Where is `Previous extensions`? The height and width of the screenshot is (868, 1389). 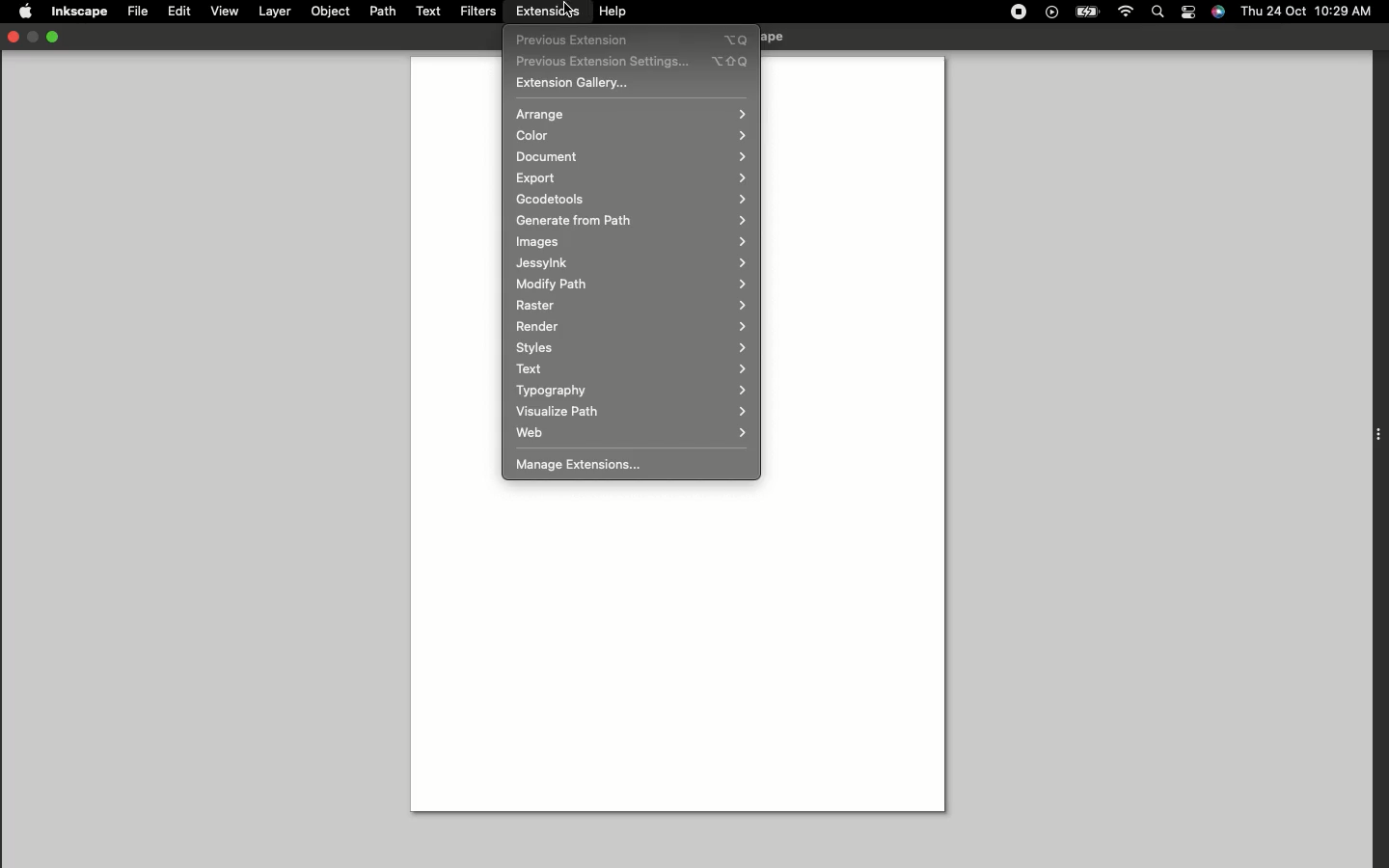 Previous extensions is located at coordinates (632, 40).